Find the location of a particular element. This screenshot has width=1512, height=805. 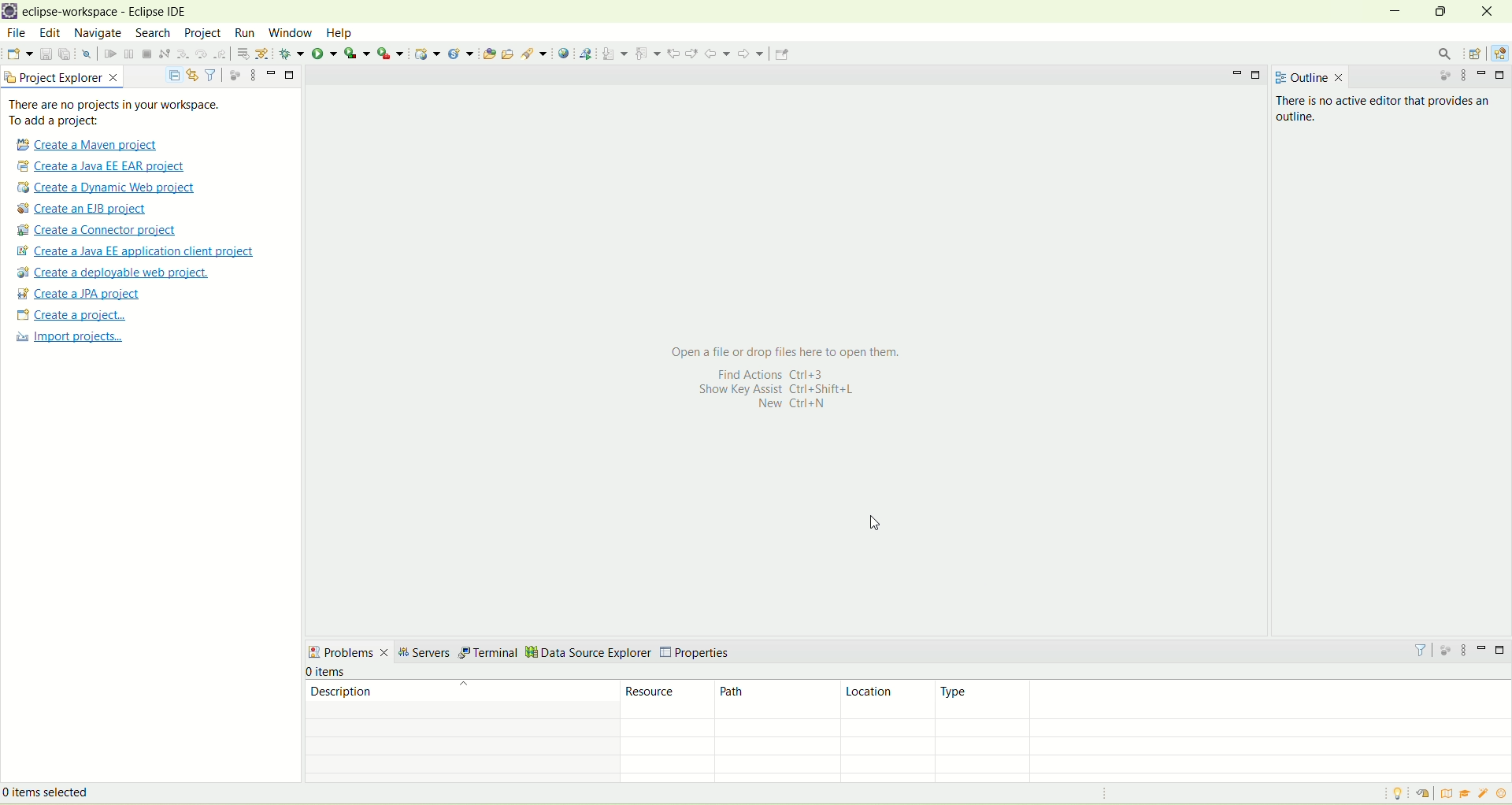

run is located at coordinates (246, 32).